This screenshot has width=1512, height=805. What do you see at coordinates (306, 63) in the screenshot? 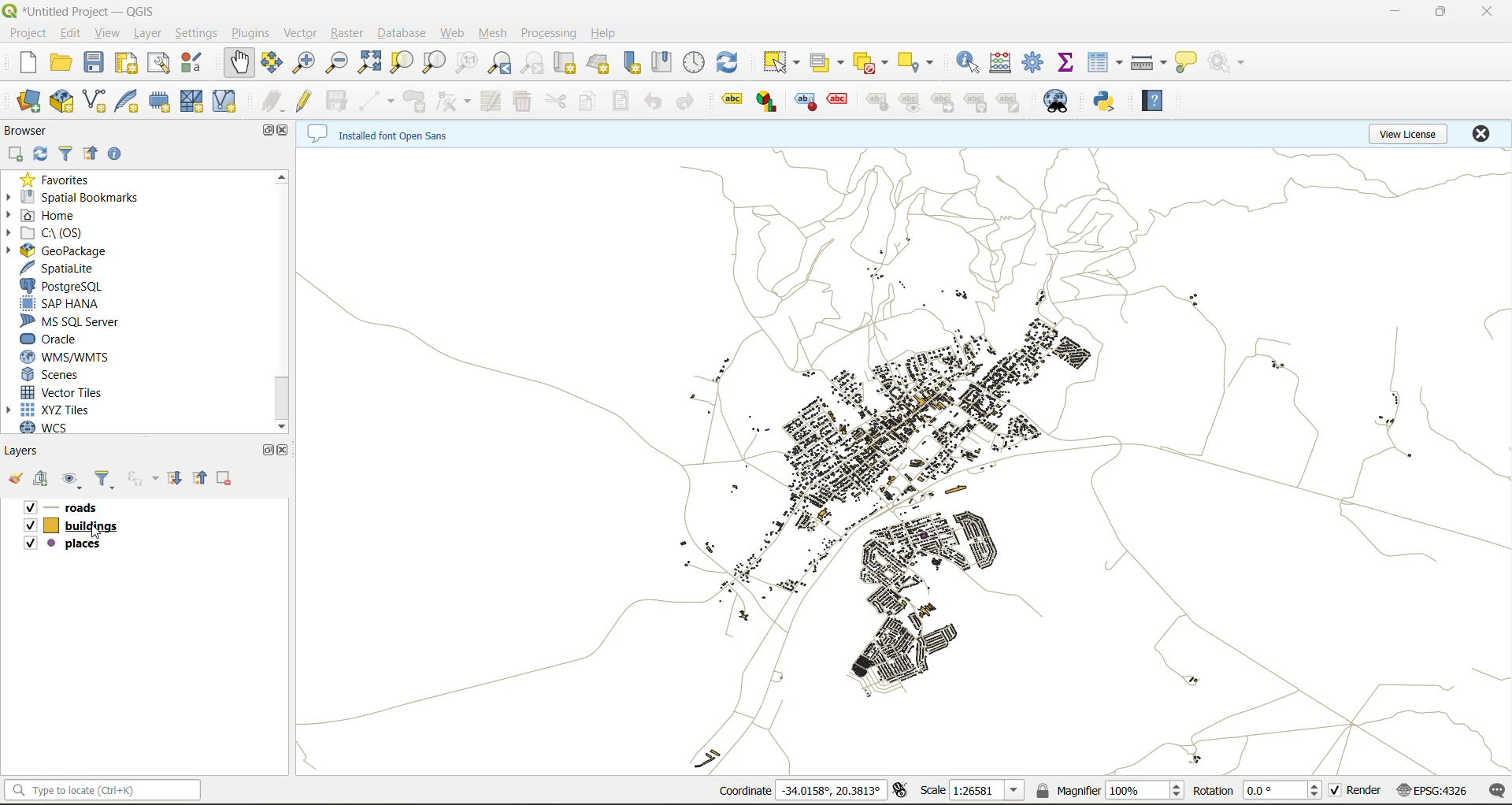
I see `zoom in` at bounding box center [306, 63].